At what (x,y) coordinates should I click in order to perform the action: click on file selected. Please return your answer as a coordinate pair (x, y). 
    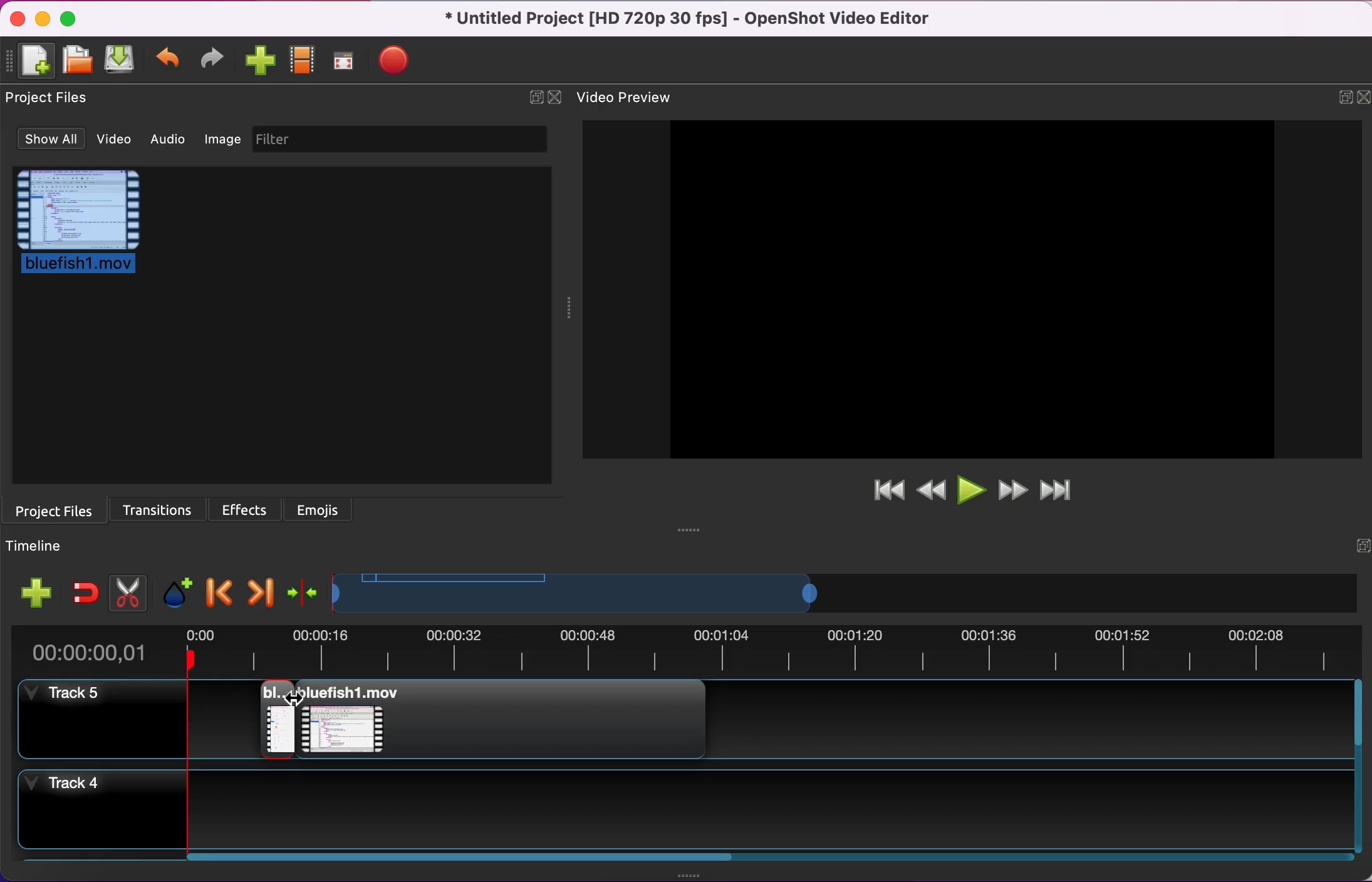
    Looking at the image, I should click on (86, 227).